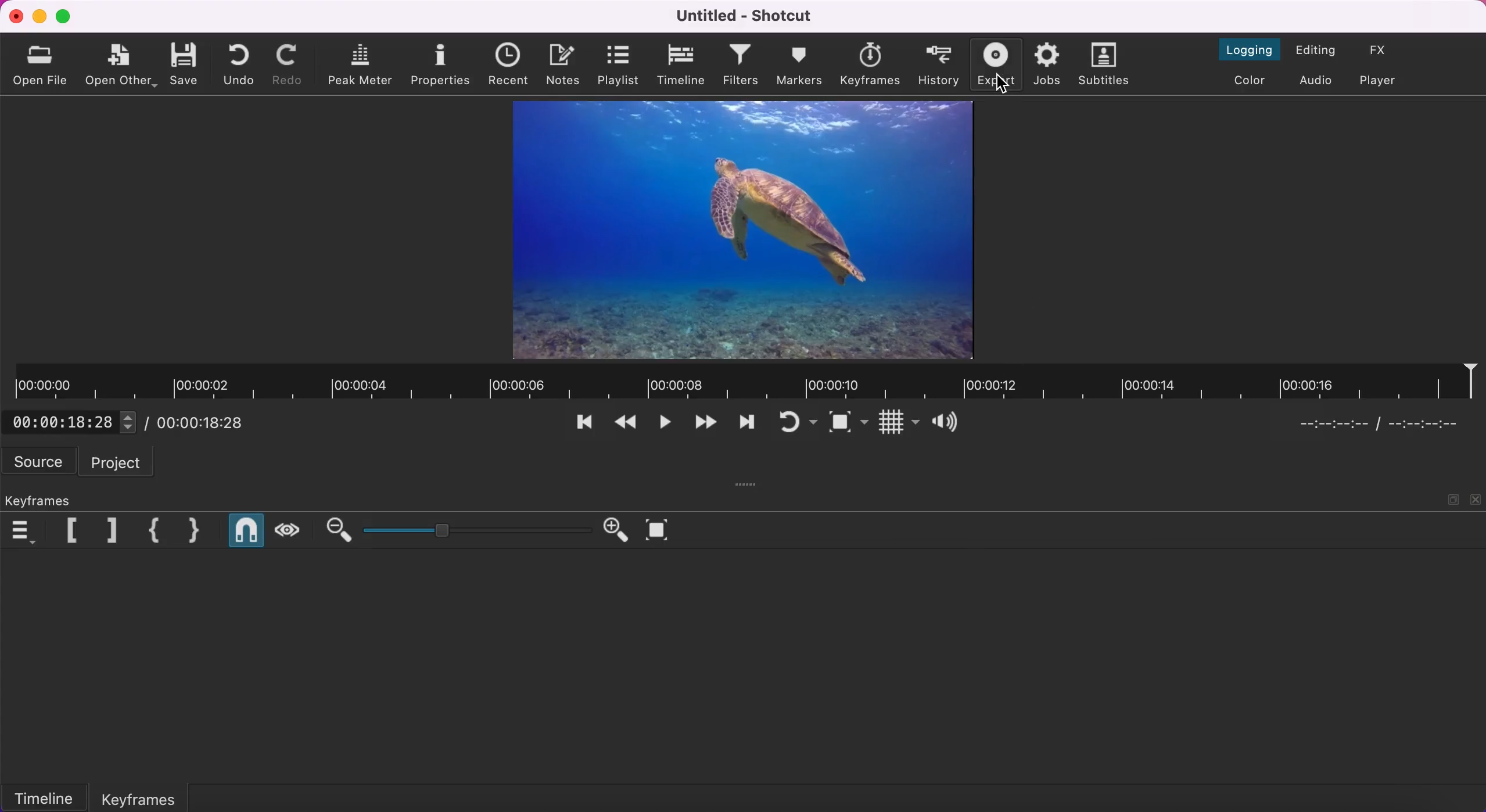  I want to click on close controls, so click(1477, 495).